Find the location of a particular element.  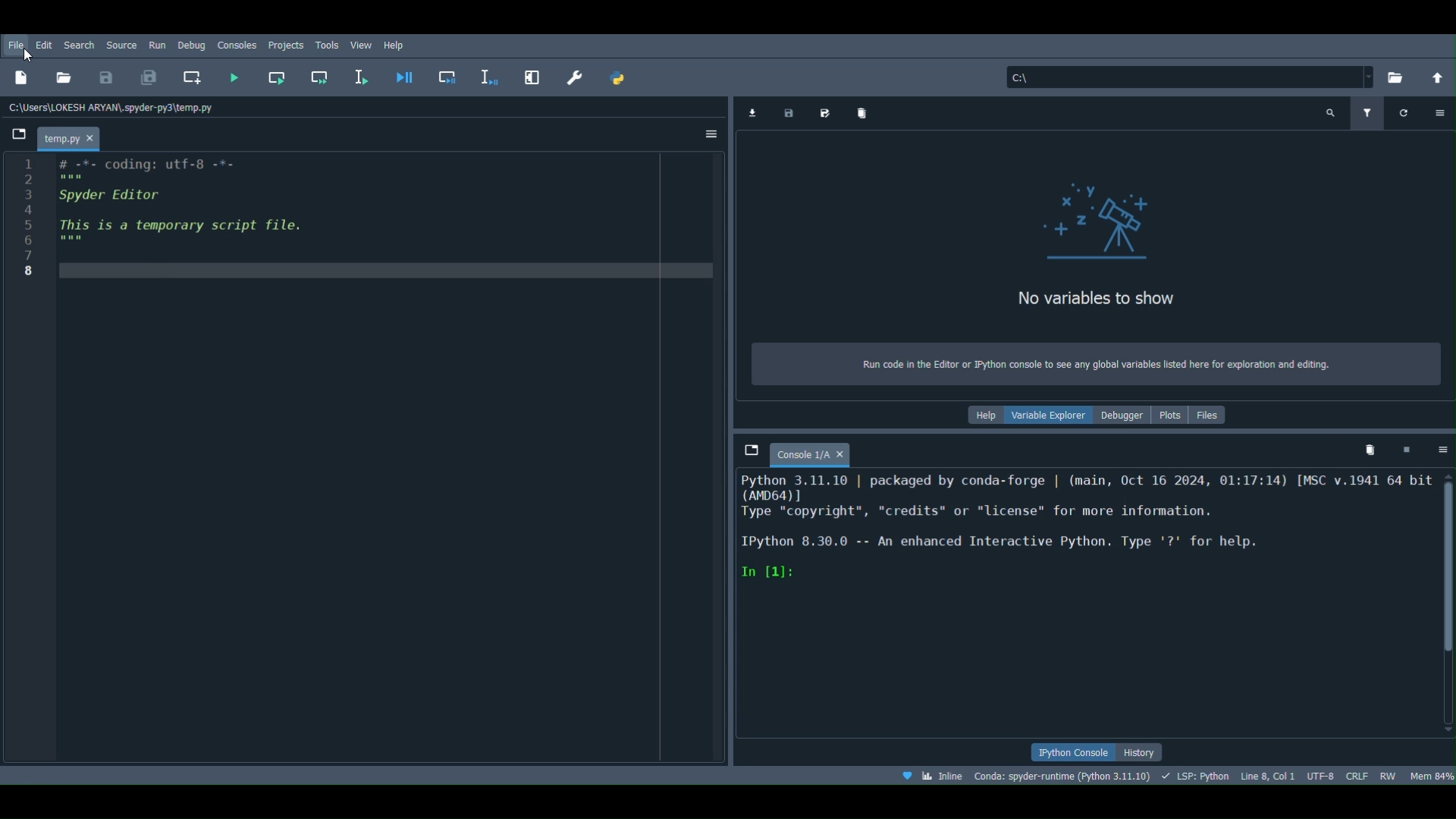

Options is located at coordinates (711, 132).